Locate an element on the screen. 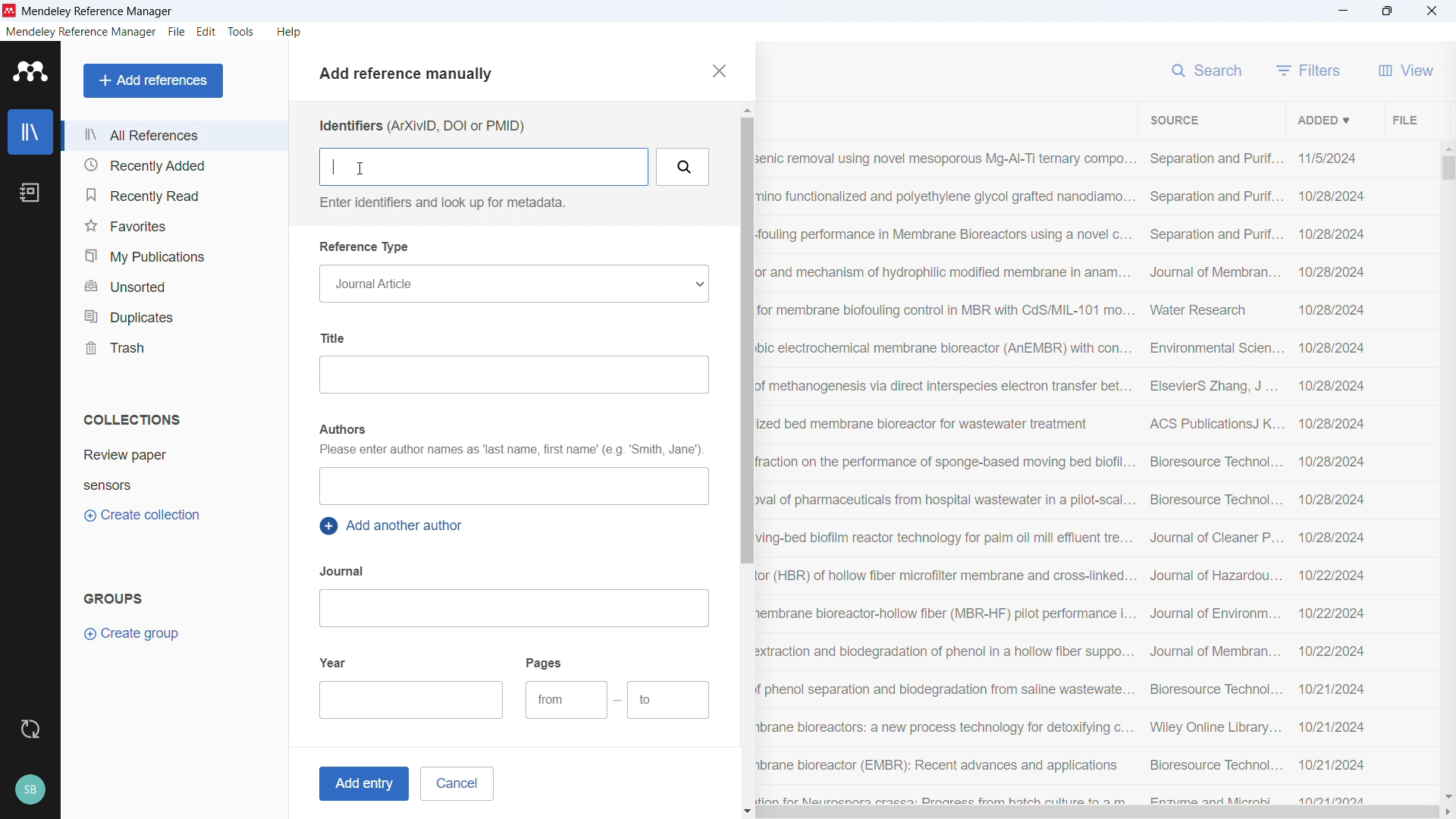 This screenshot has height=819, width=1456. Create collection  is located at coordinates (144, 516).